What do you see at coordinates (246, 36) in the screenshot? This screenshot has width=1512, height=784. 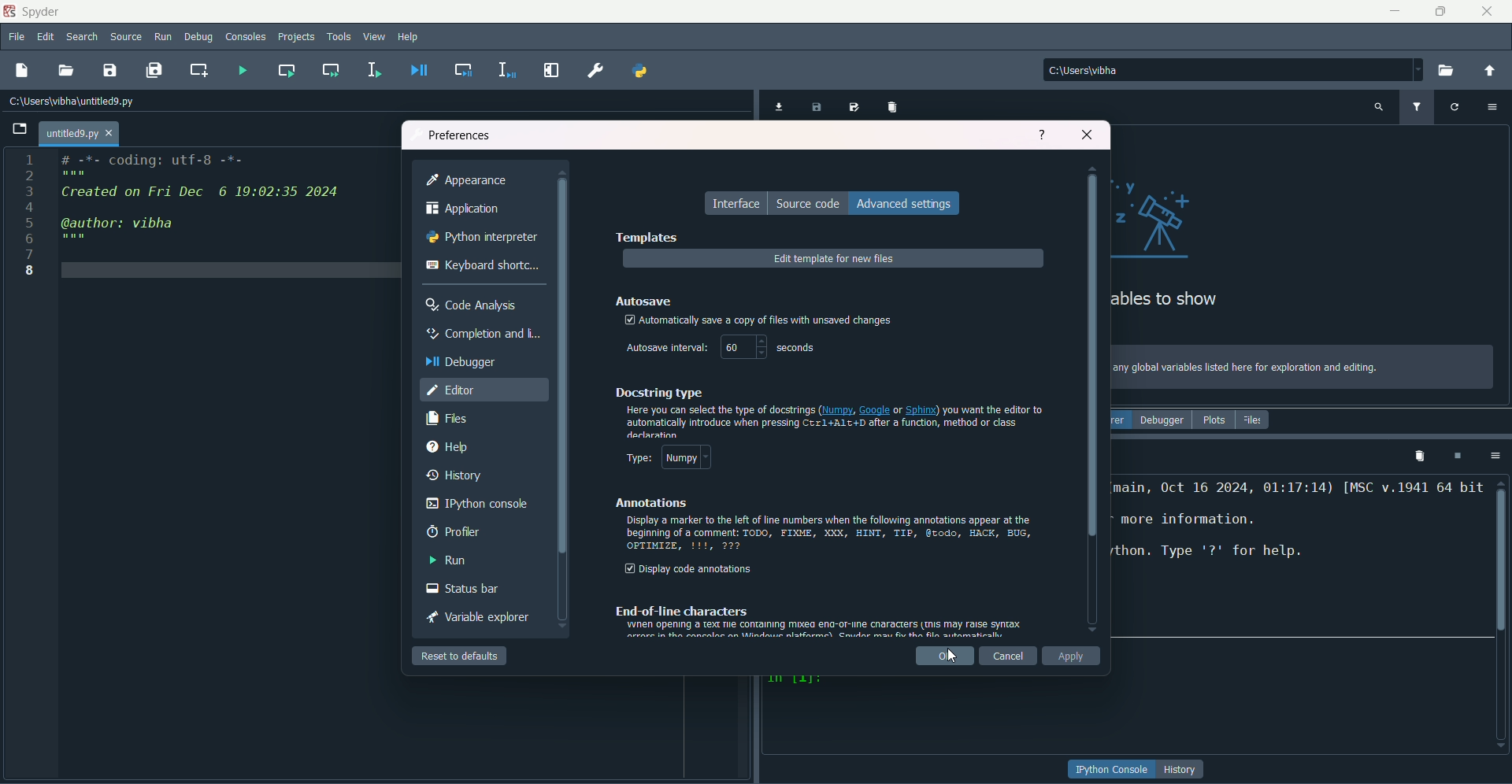 I see `consoles` at bounding box center [246, 36].